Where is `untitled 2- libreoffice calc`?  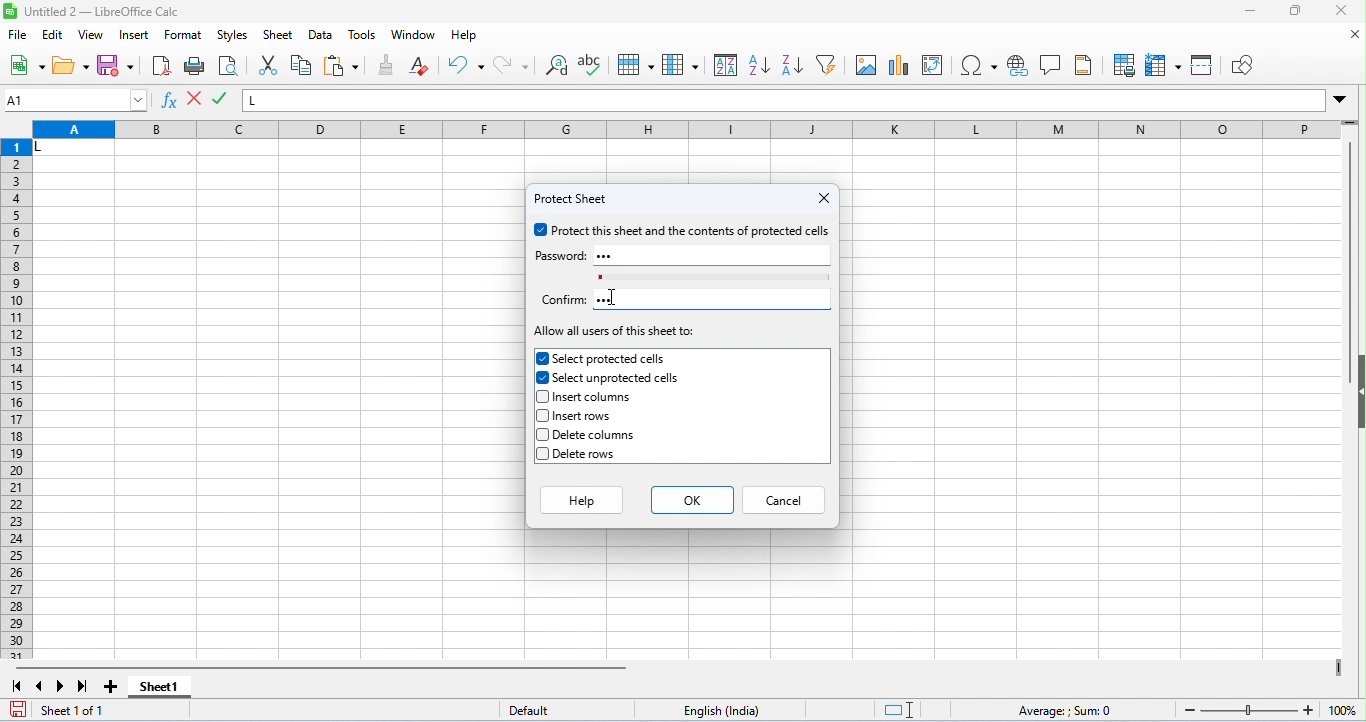 untitled 2- libreoffice calc is located at coordinates (94, 11).